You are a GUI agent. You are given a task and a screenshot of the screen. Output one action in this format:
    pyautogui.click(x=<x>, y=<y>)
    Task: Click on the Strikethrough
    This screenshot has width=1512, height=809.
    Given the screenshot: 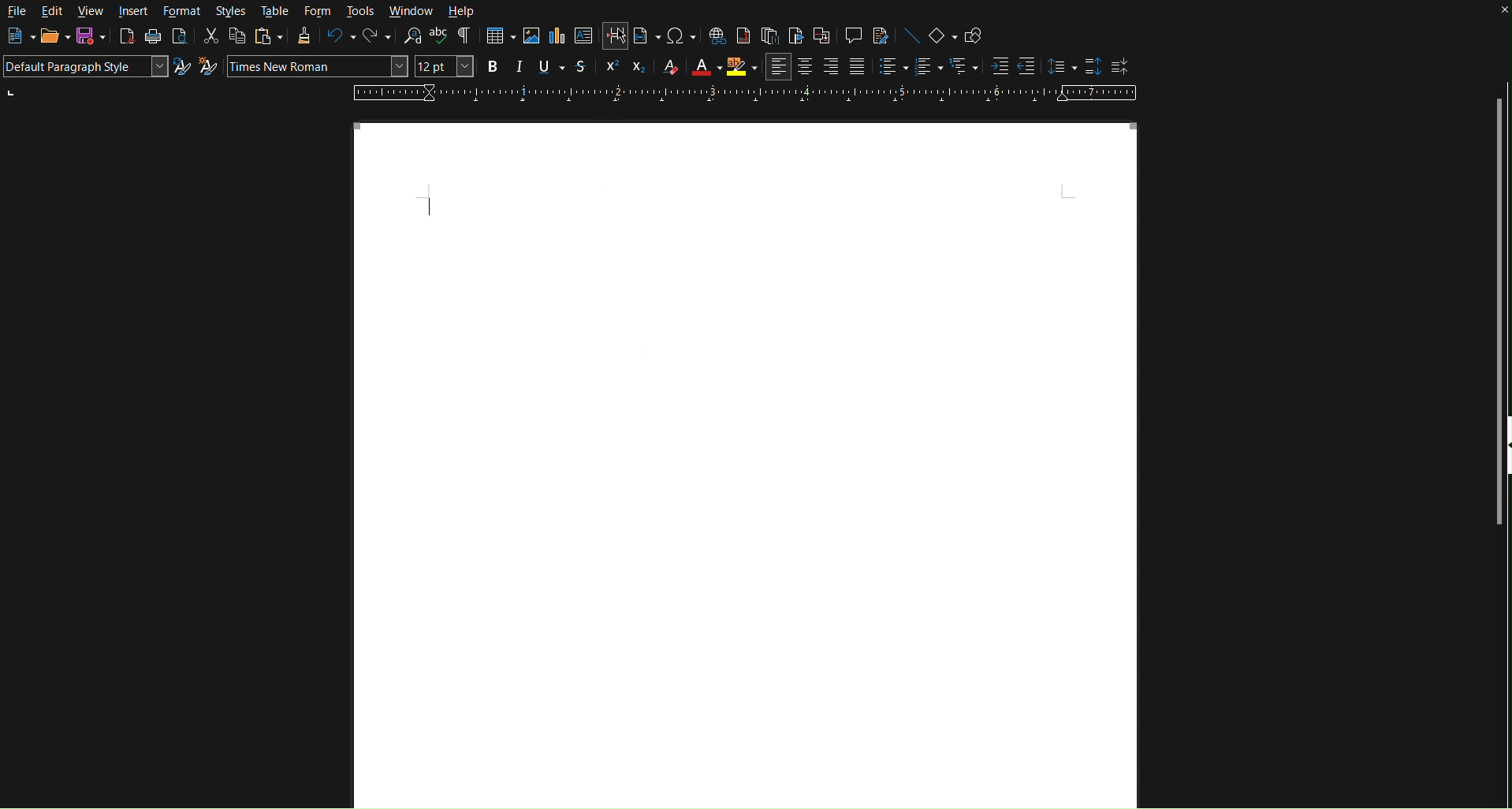 What is the action you would take?
    pyautogui.click(x=583, y=68)
    